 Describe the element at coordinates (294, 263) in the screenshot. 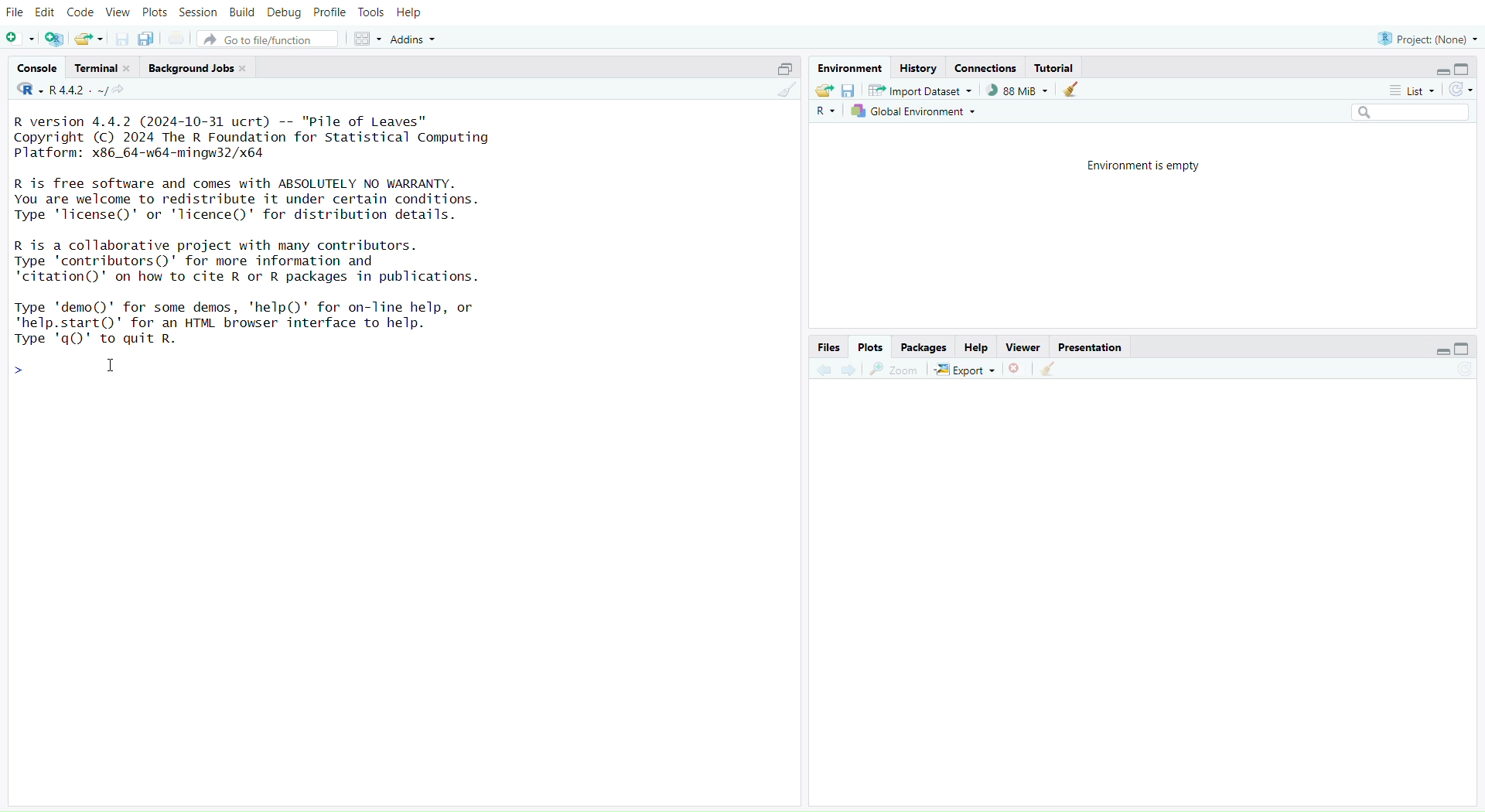

I see `R is a collaborative project with many contributors.
Type 'contributors()' for more information and
"citation()' on how to cite R or R packages in publications.` at that location.